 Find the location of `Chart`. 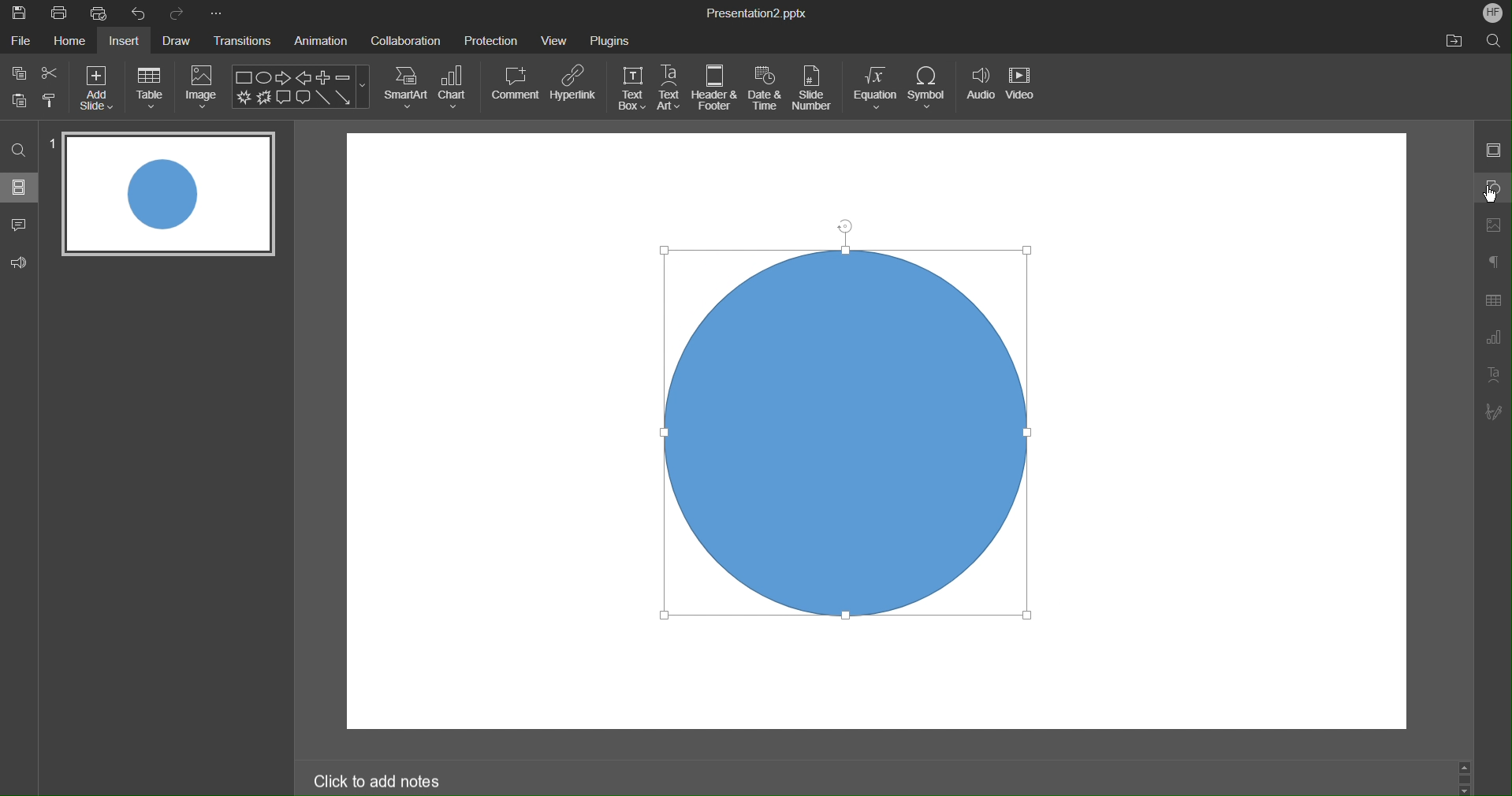

Chart is located at coordinates (455, 87).